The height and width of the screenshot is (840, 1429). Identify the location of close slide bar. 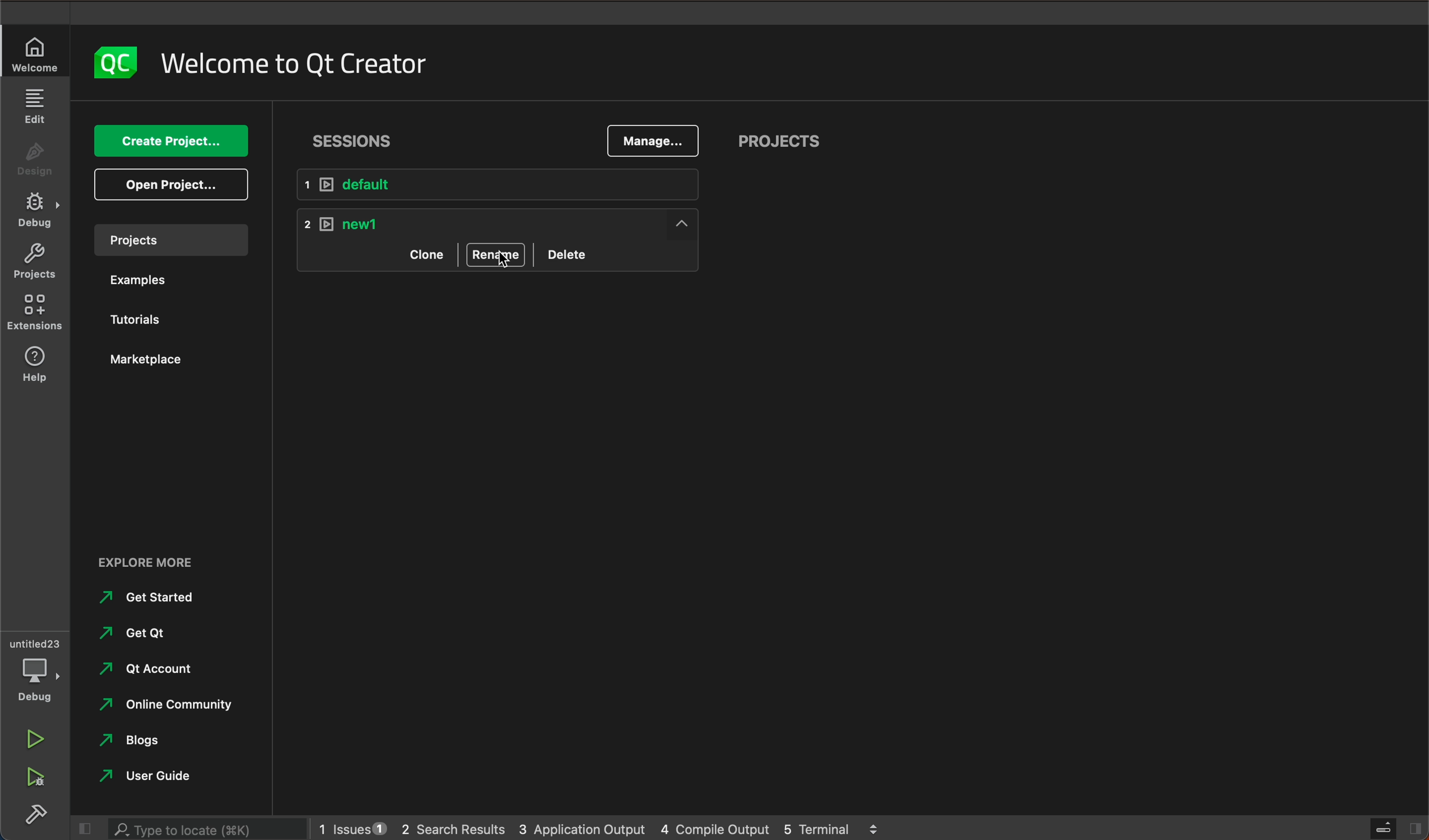
(1392, 828).